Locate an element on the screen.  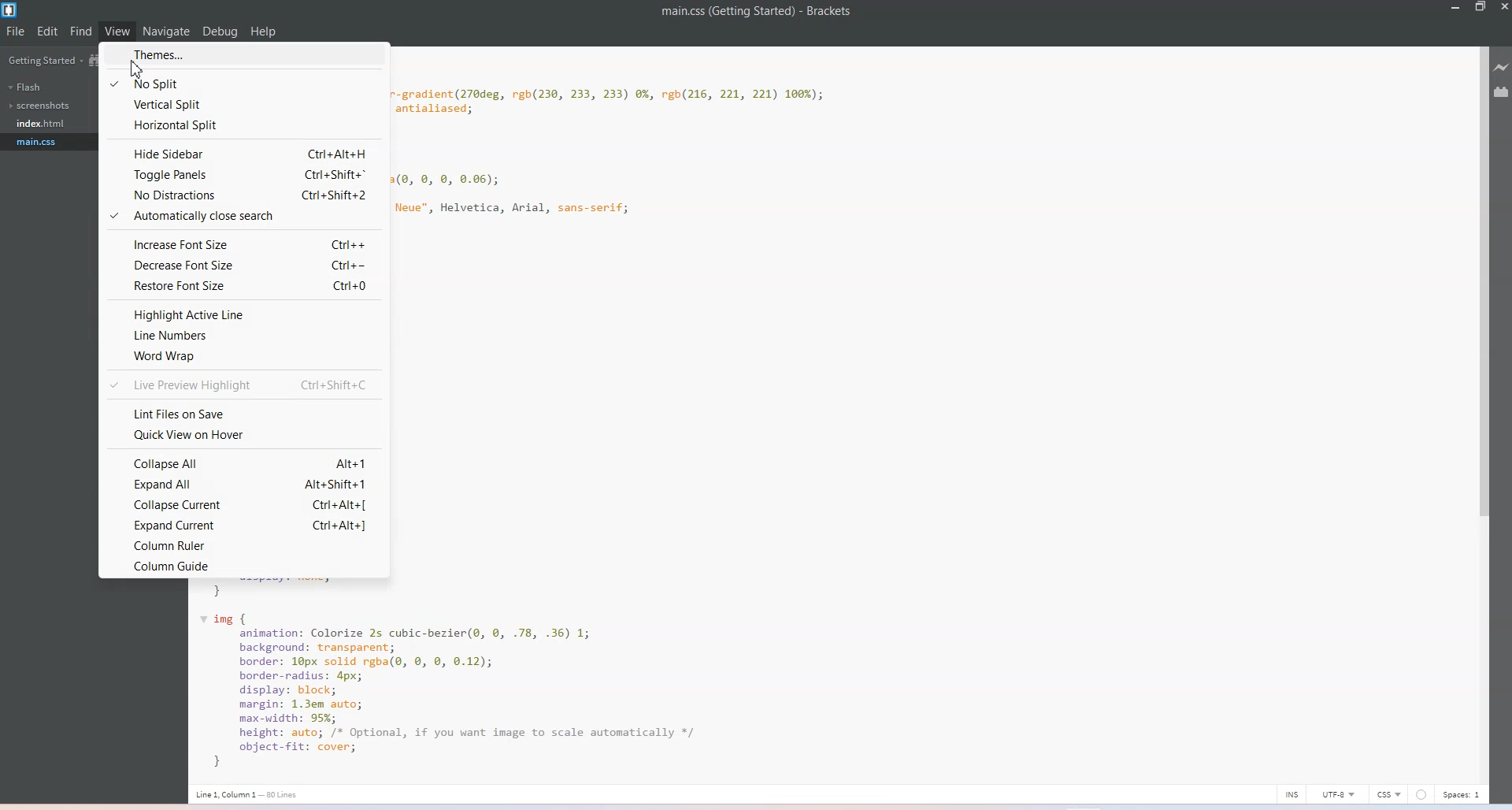
Spaces 1 is located at coordinates (1460, 795).